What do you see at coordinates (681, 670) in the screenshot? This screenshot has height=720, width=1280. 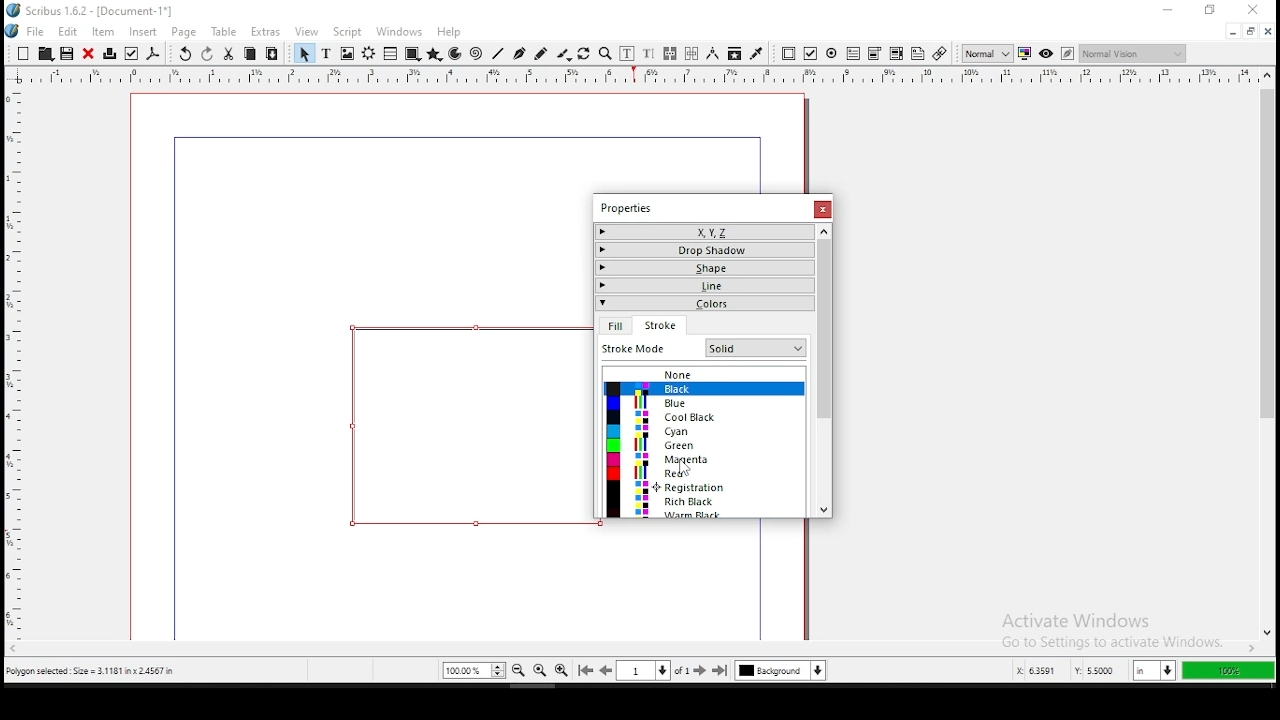 I see `of 1` at bounding box center [681, 670].